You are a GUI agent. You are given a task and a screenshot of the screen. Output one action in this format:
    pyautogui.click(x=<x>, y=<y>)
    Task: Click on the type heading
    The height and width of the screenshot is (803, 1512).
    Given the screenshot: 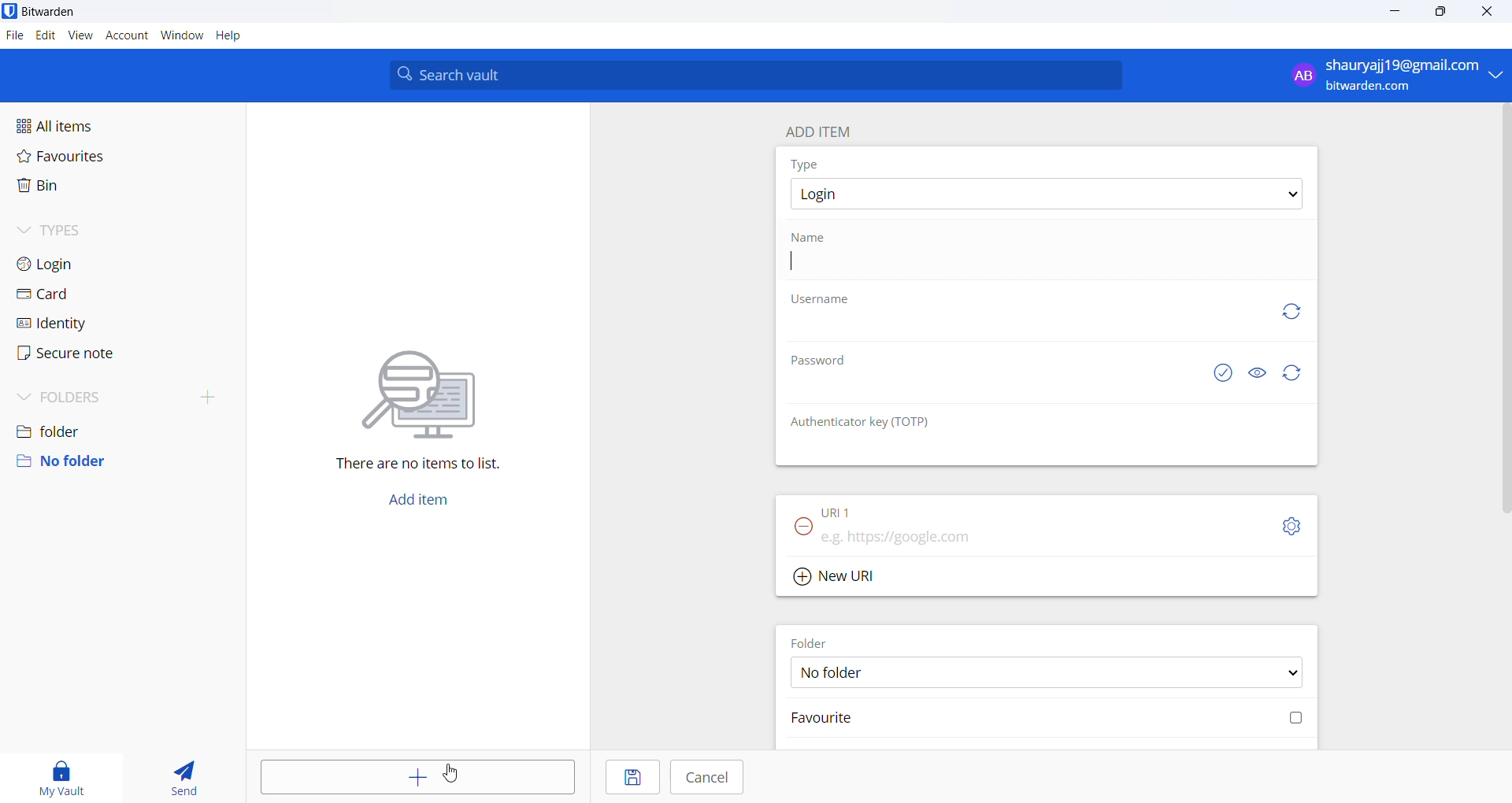 What is the action you would take?
    pyautogui.click(x=806, y=164)
    